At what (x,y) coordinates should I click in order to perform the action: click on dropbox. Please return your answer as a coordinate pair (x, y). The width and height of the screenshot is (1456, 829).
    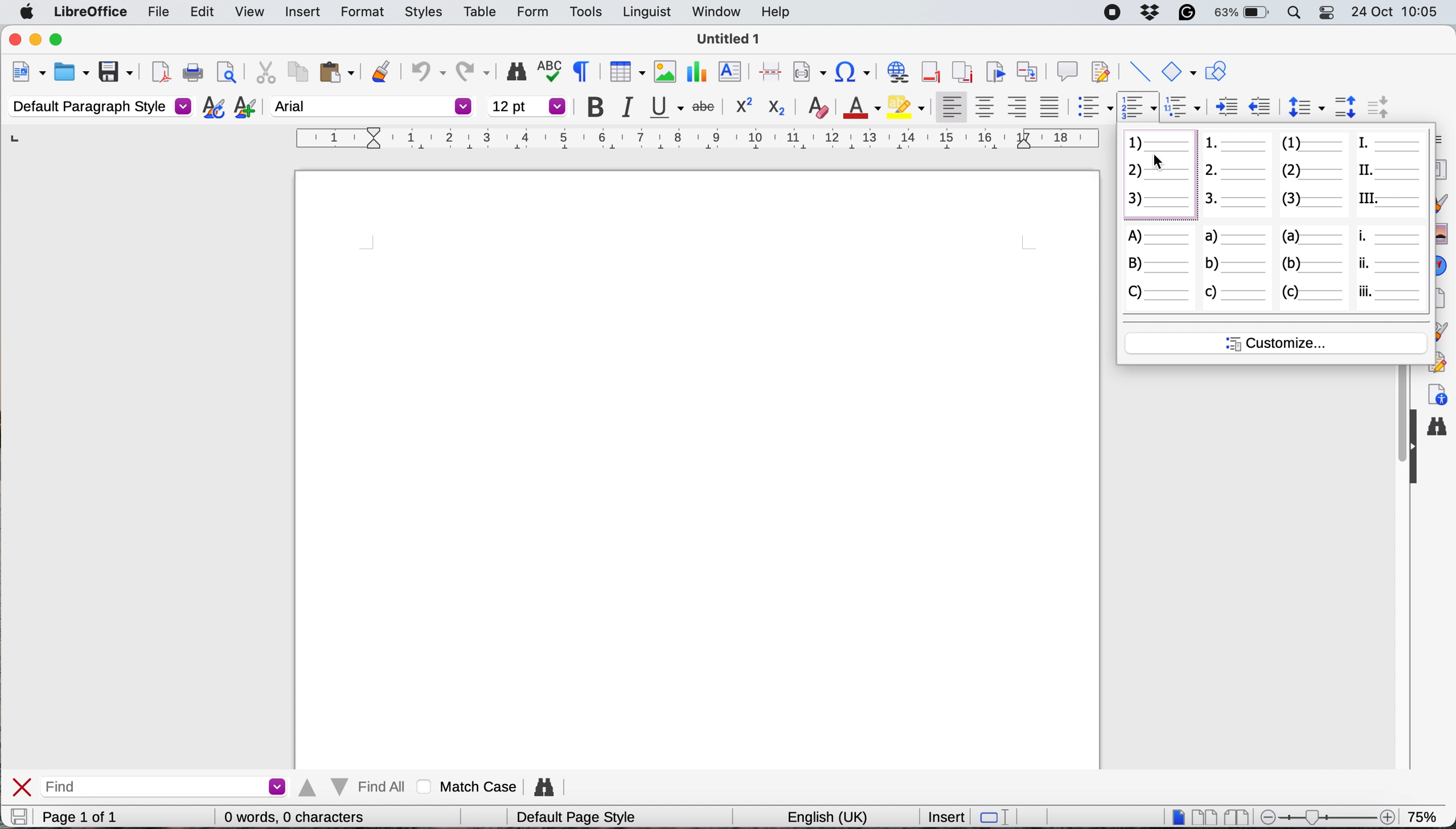
    Looking at the image, I should click on (1151, 11).